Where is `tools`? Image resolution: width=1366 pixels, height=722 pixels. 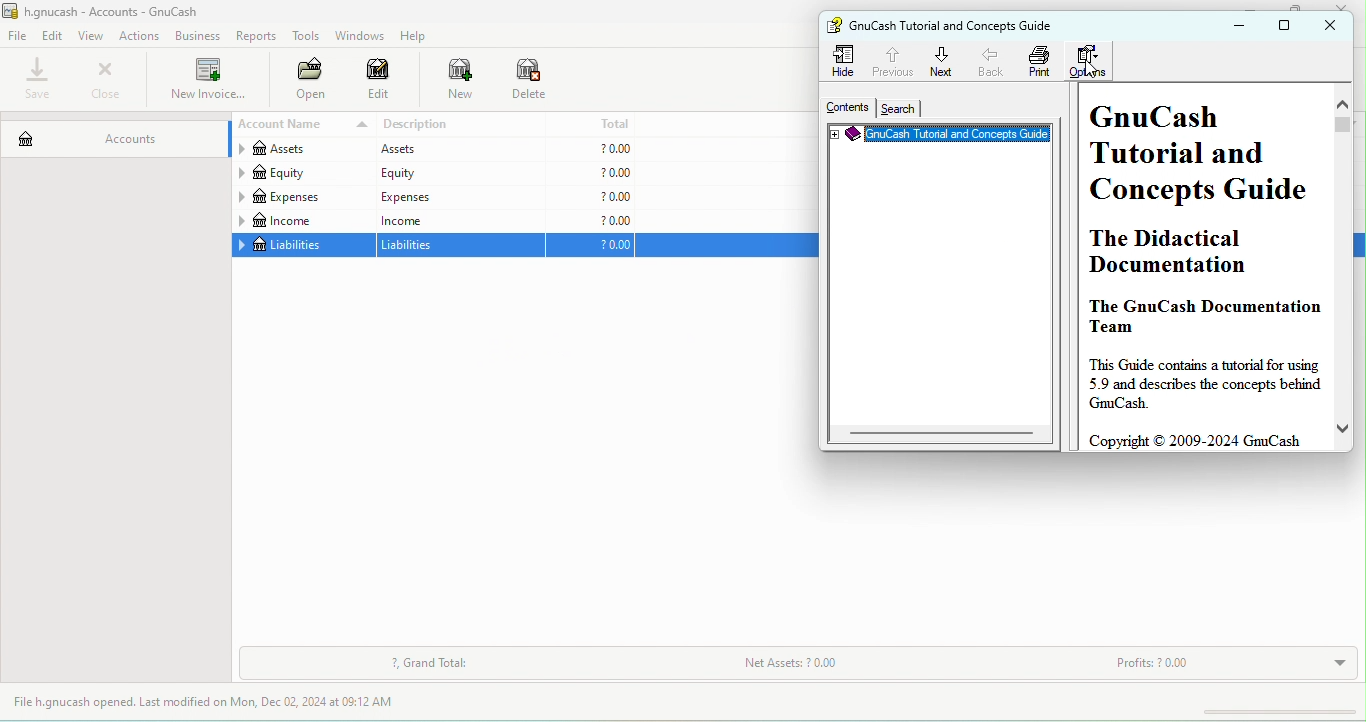
tools is located at coordinates (307, 38).